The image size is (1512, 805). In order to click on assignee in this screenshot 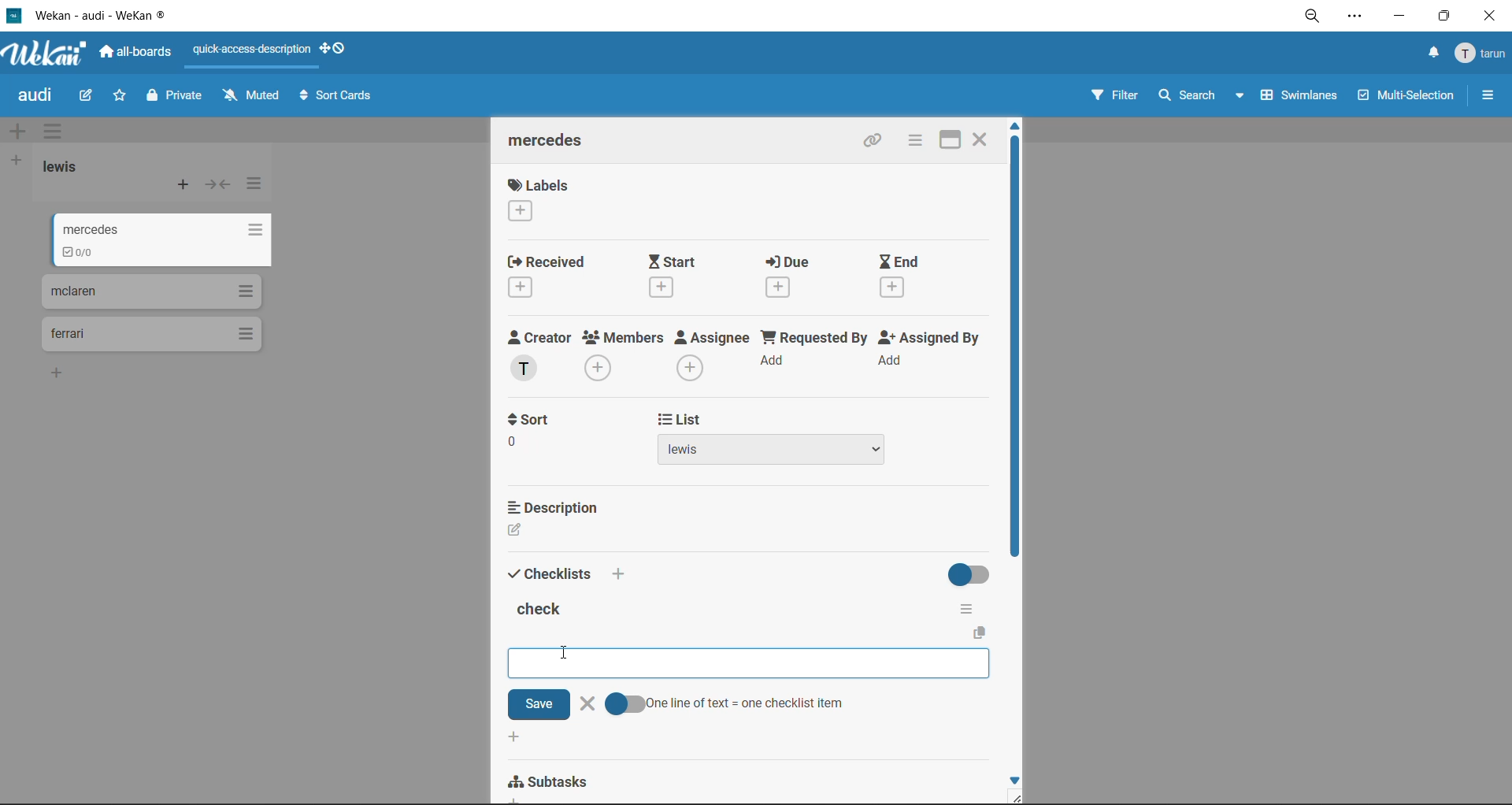, I will do `click(717, 358)`.